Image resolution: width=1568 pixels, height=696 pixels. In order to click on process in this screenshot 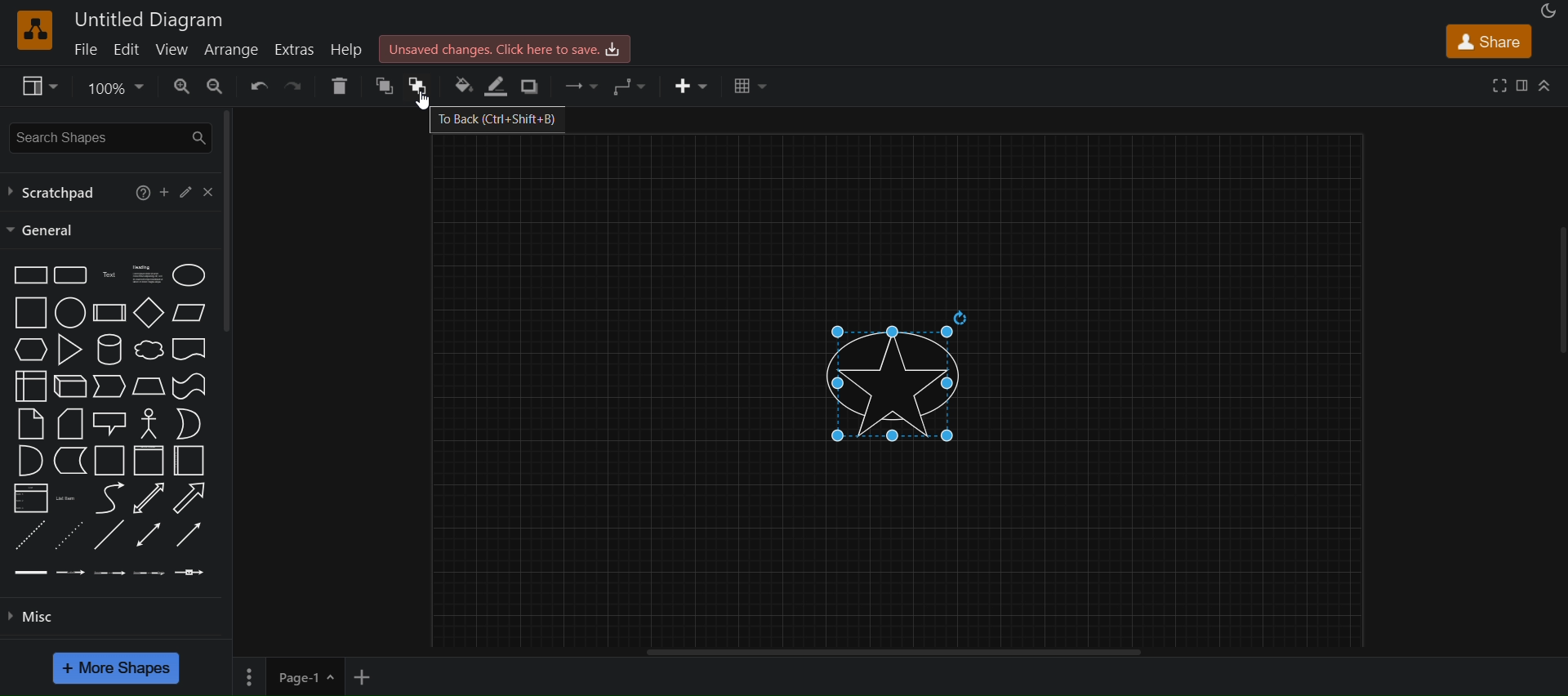, I will do `click(109, 313)`.